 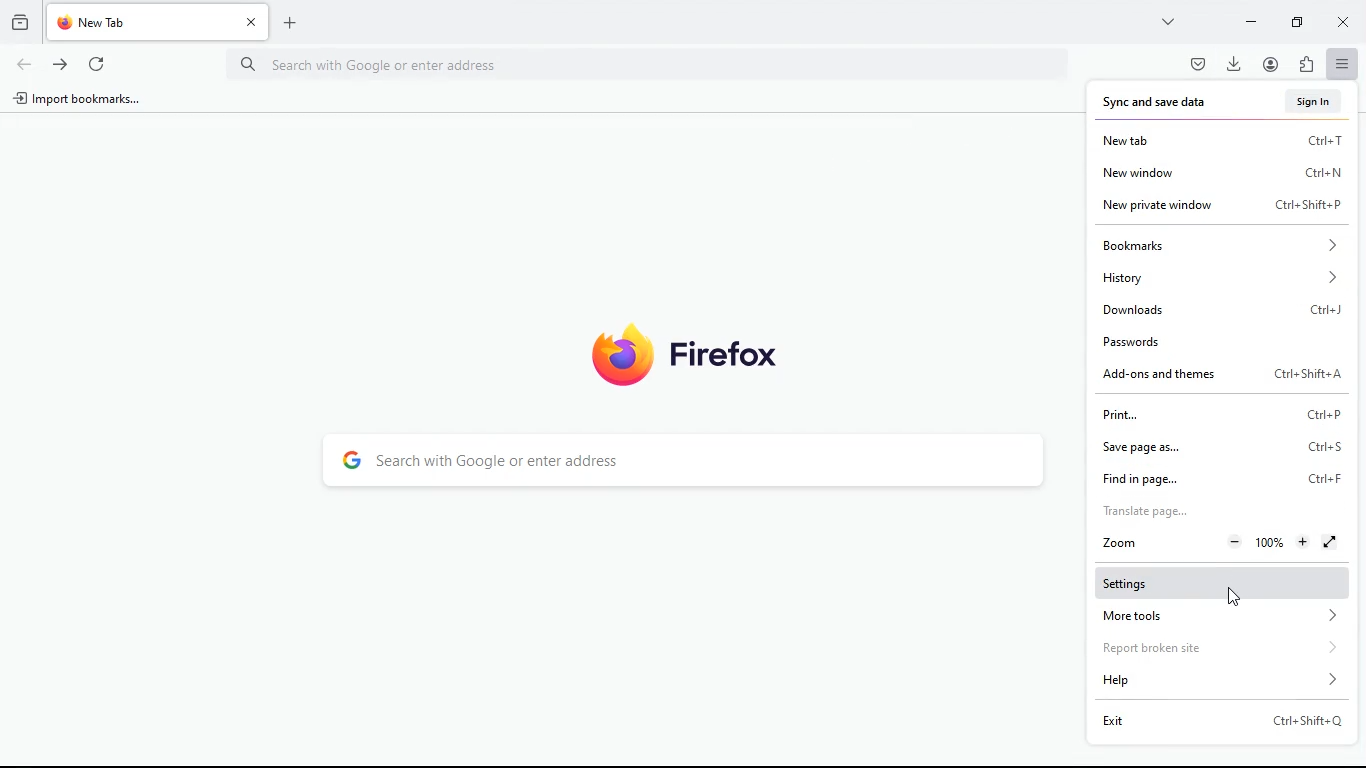 I want to click on Search bar, so click(x=653, y=64).